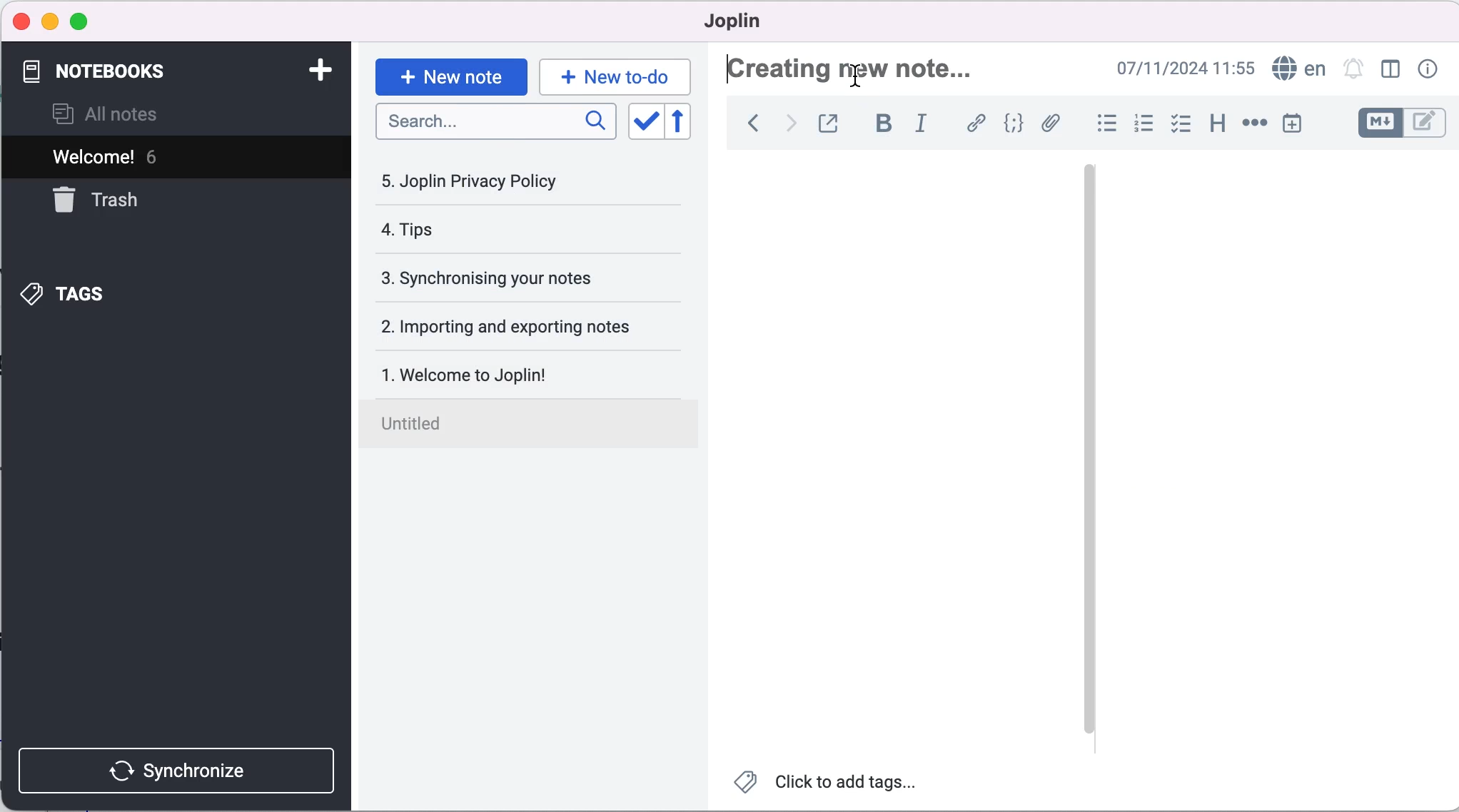 The image size is (1459, 812). I want to click on new note, so click(450, 75).